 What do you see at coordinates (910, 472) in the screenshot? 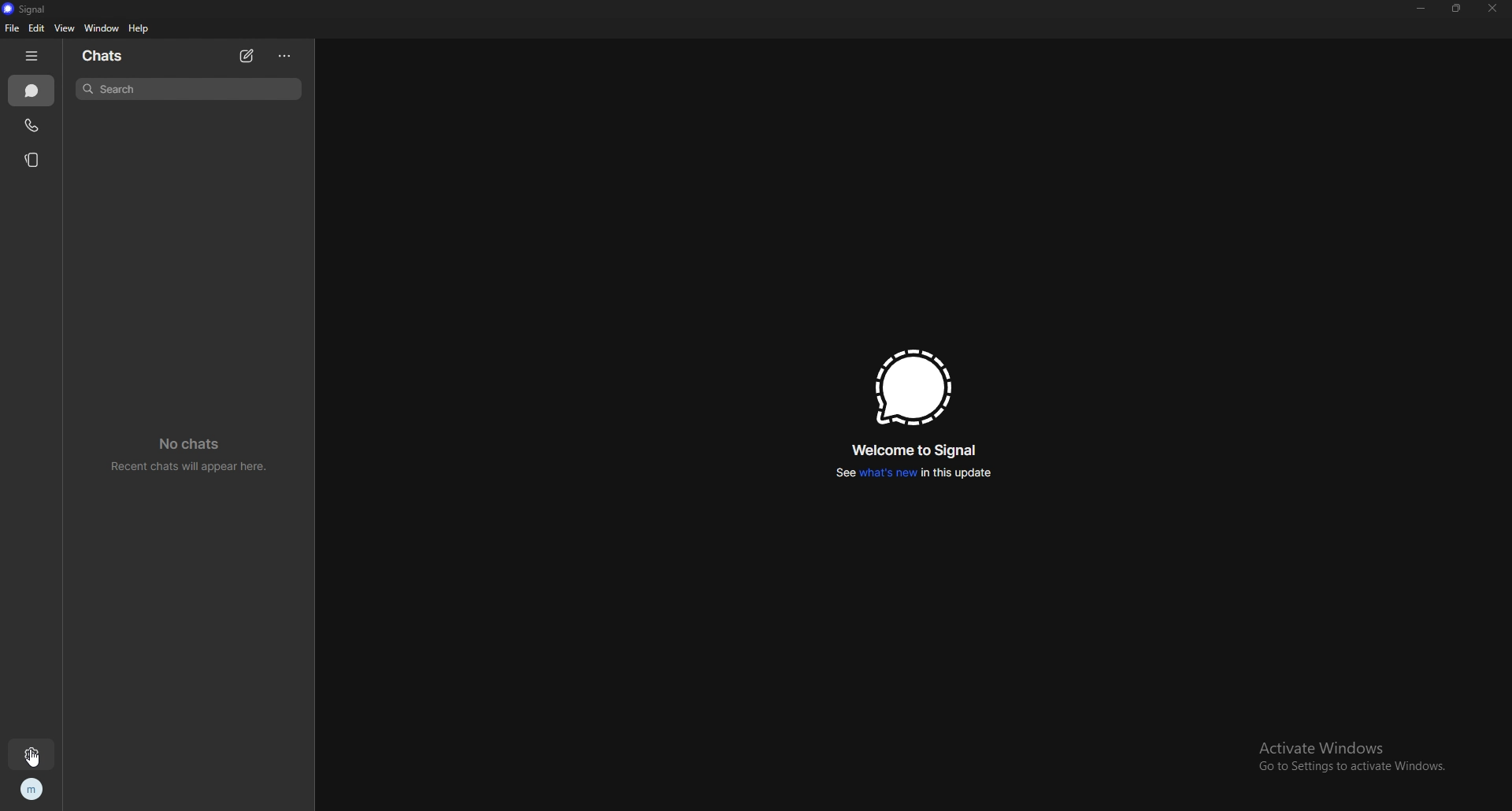
I see `see whats new in this update` at bounding box center [910, 472].